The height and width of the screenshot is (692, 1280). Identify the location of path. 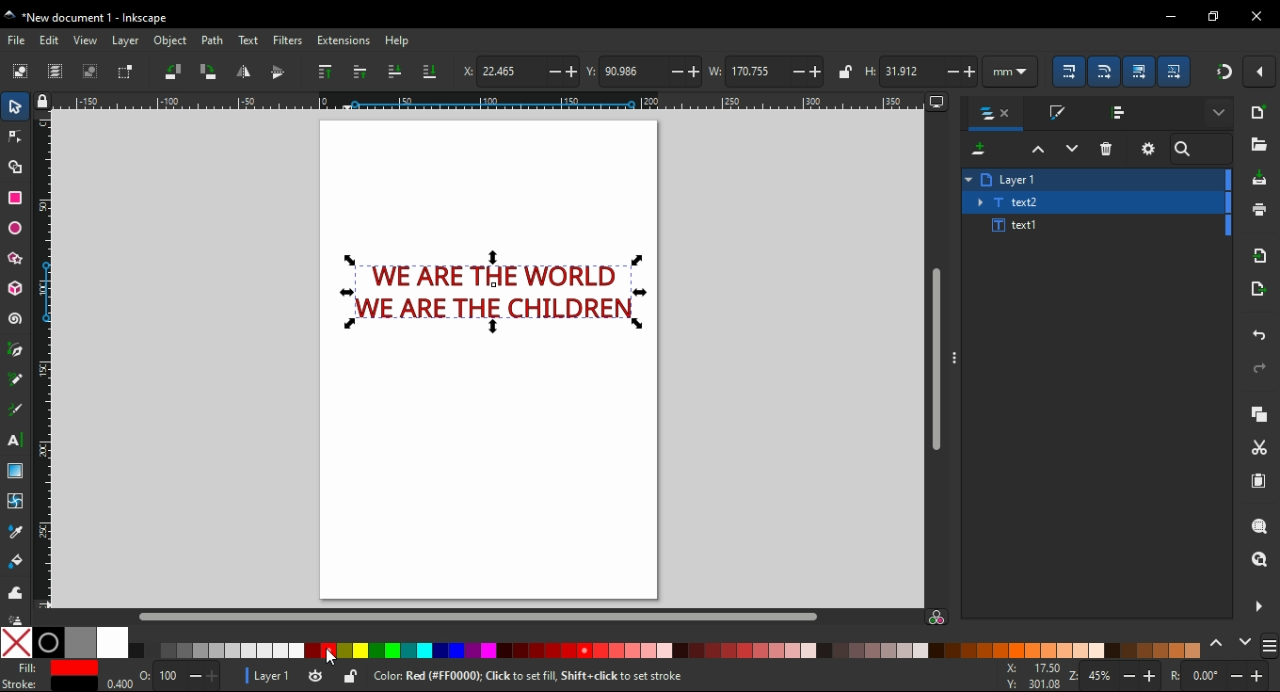
(212, 41).